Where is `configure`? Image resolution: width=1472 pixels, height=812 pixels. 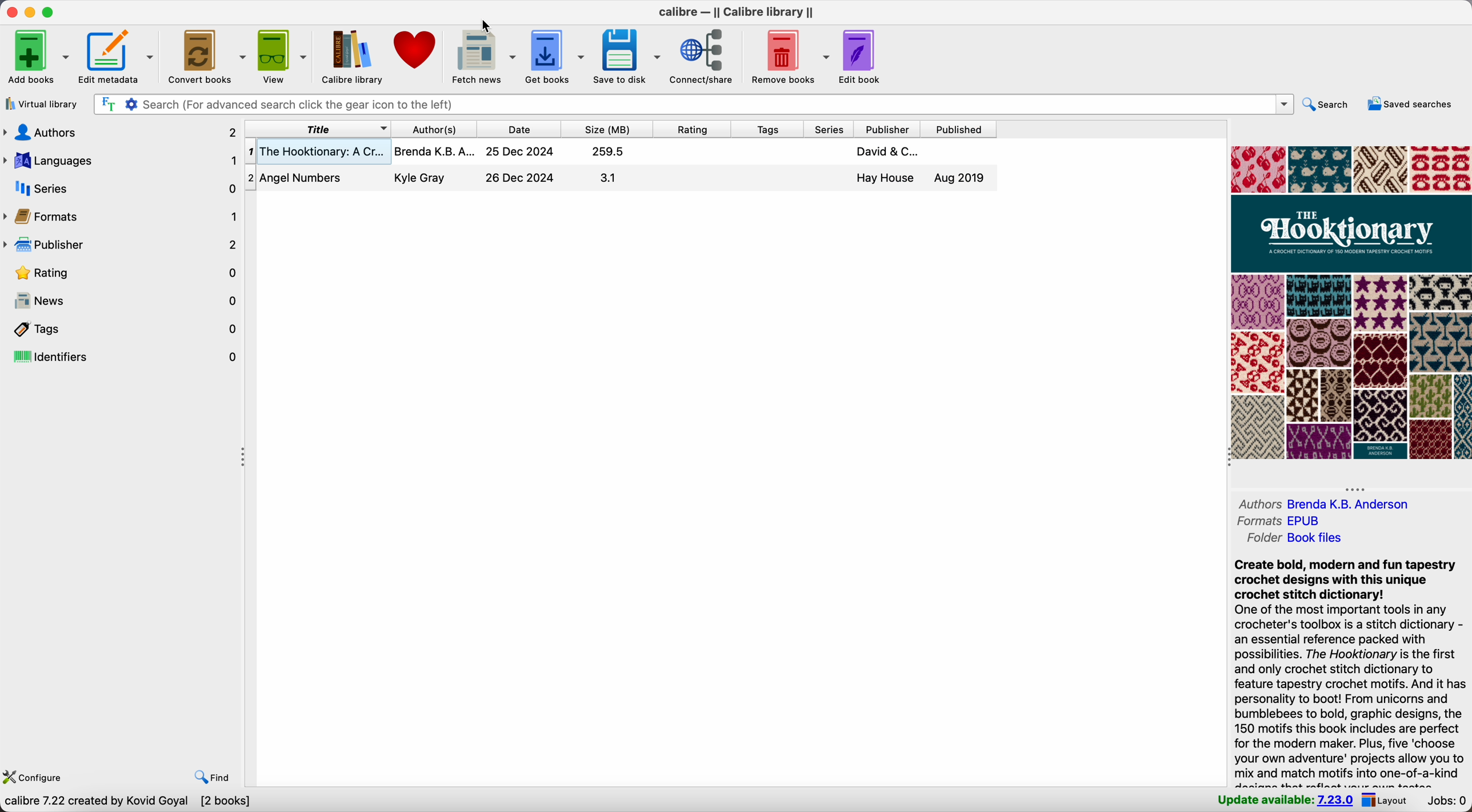 configure is located at coordinates (32, 778).